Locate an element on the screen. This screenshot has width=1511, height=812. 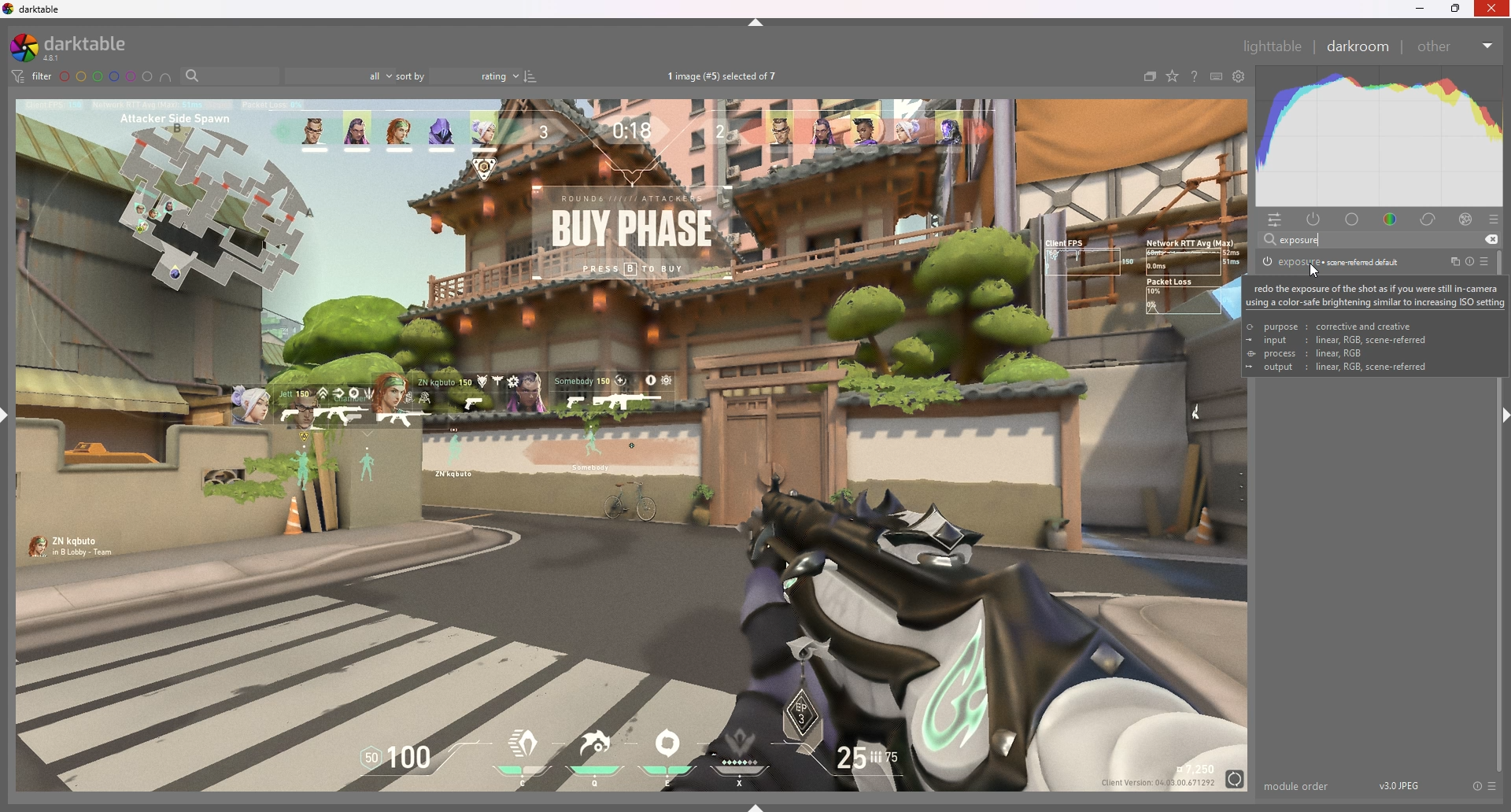
cursor description is located at coordinates (1380, 326).